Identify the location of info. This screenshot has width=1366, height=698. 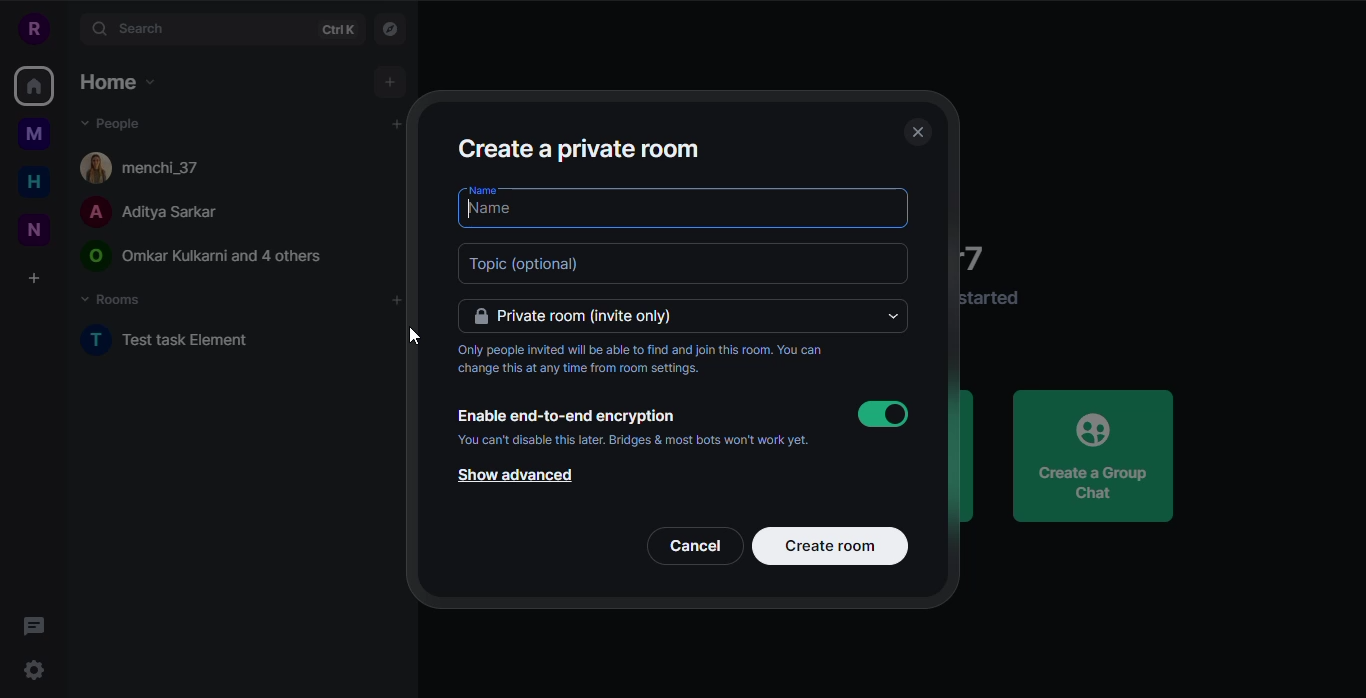
(993, 298).